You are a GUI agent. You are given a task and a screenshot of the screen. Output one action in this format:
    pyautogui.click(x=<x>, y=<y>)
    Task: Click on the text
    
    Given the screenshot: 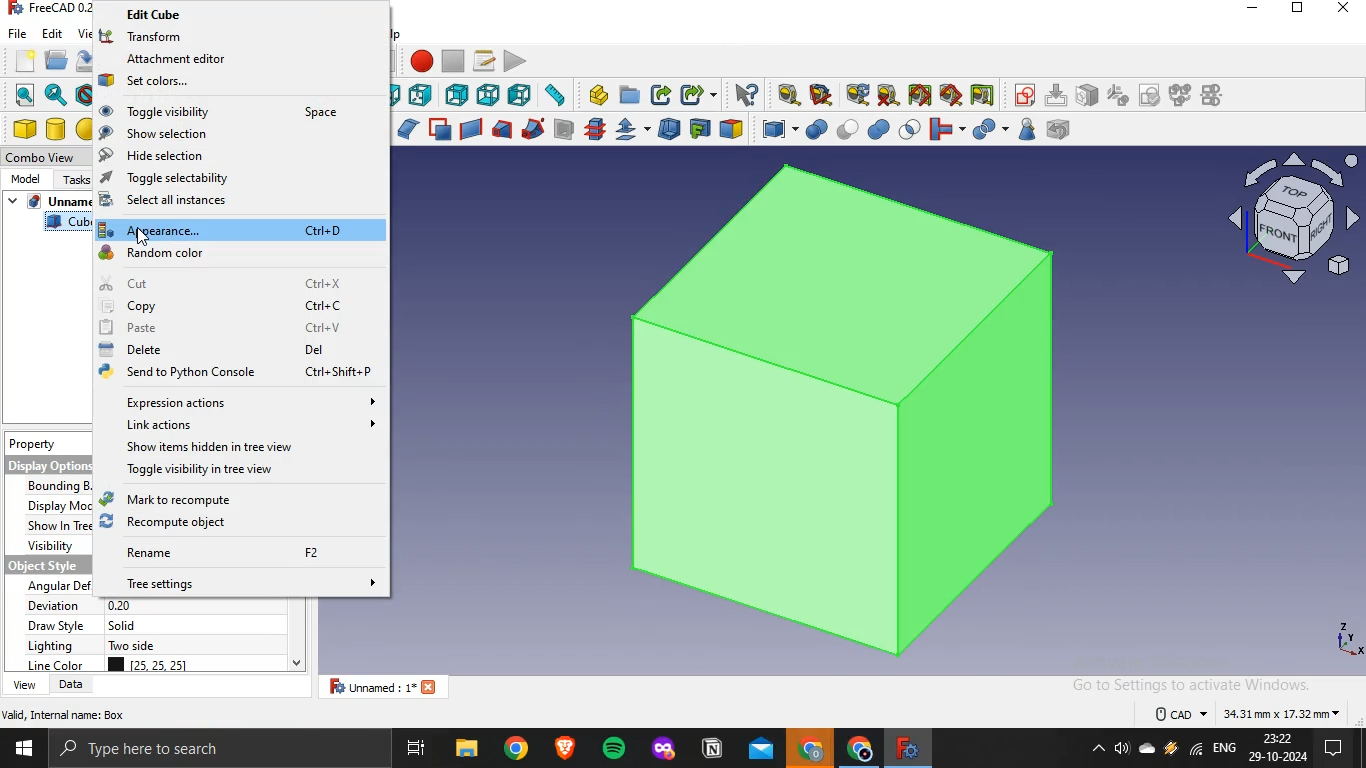 What is the action you would take?
    pyautogui.click(x=155, y=636)
    